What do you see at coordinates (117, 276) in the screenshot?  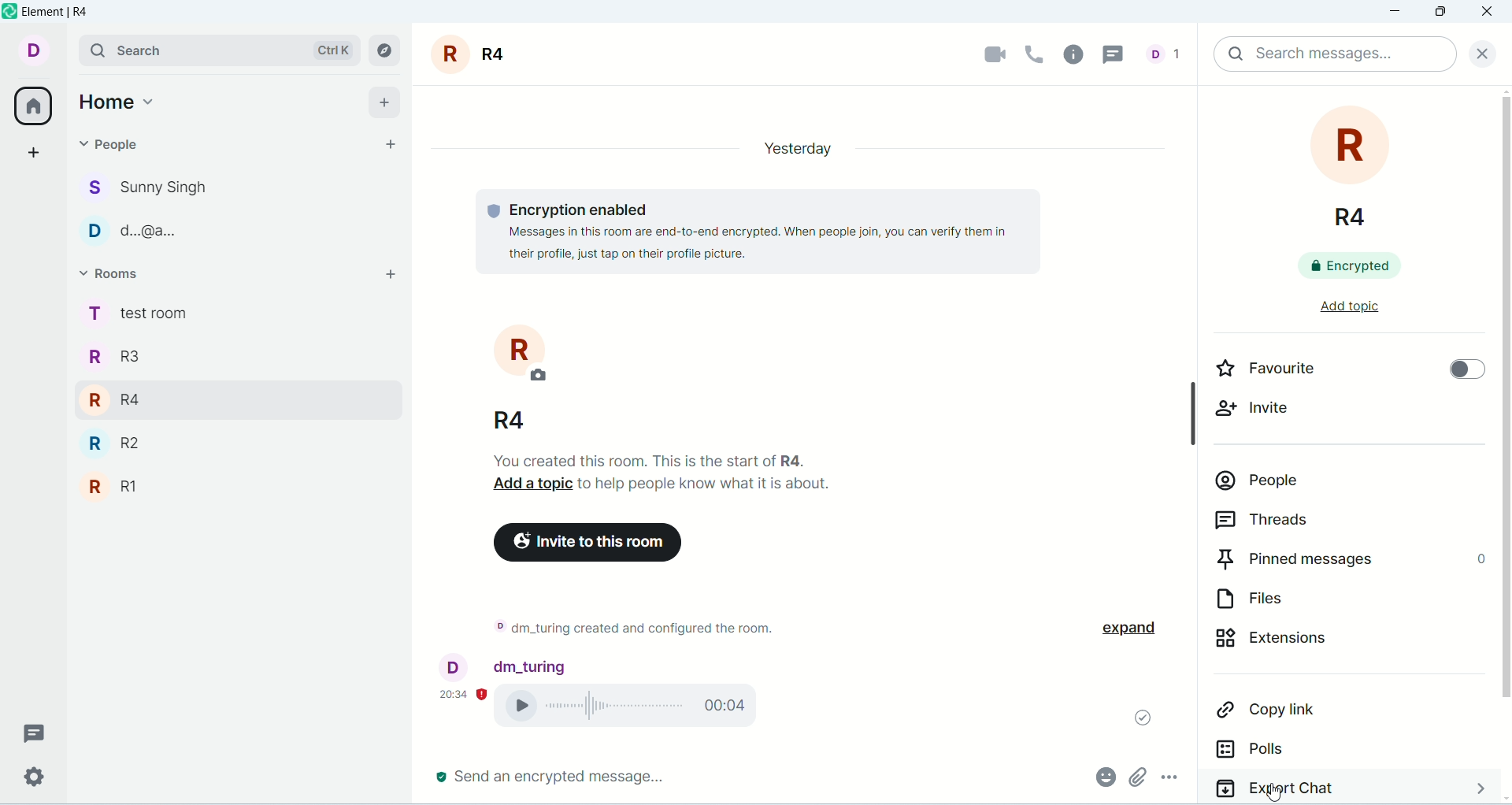 I see `rooms` at bounding box center [117, 276].